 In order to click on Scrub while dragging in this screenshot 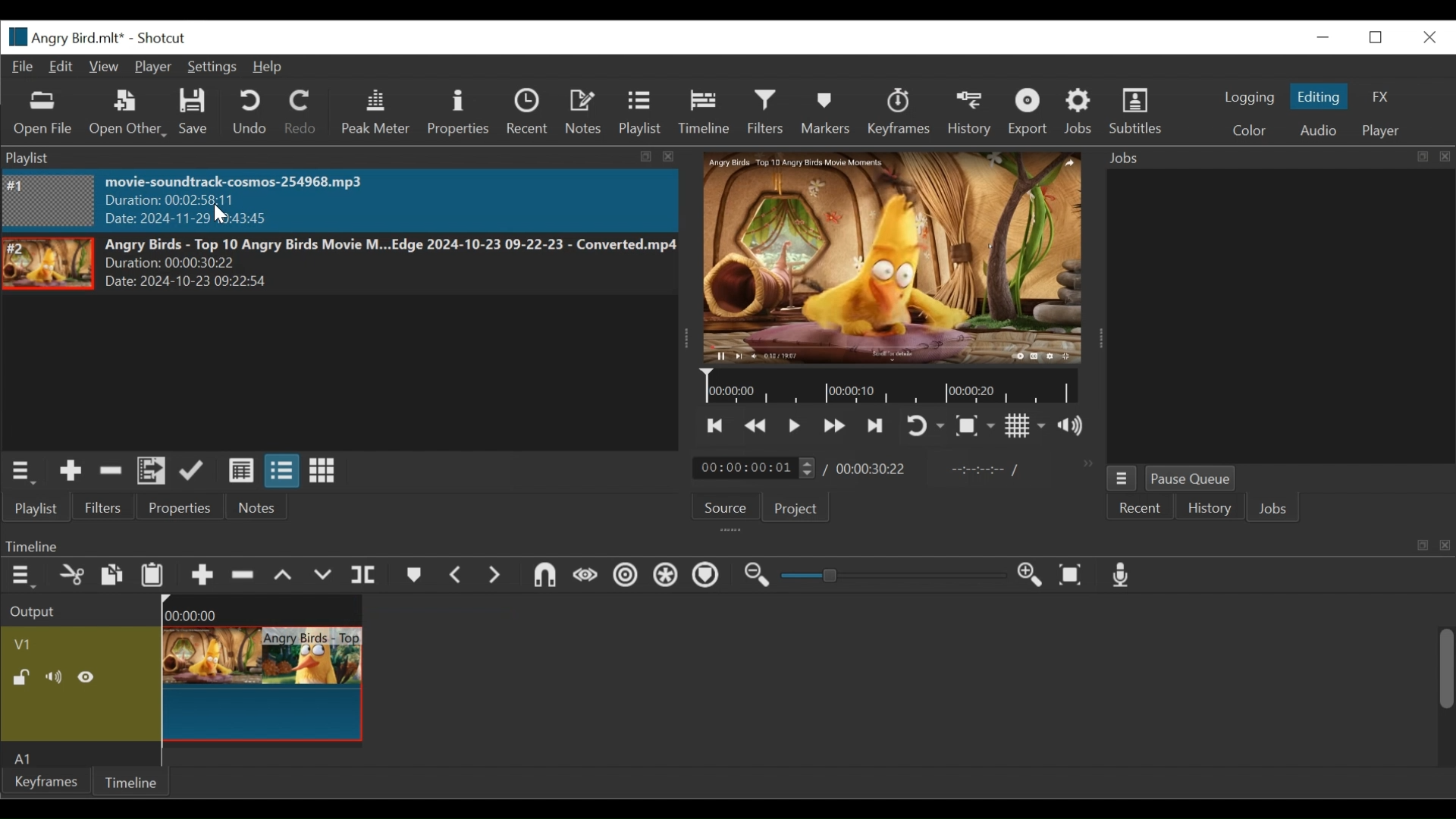, I will do `click(583, 576)`.